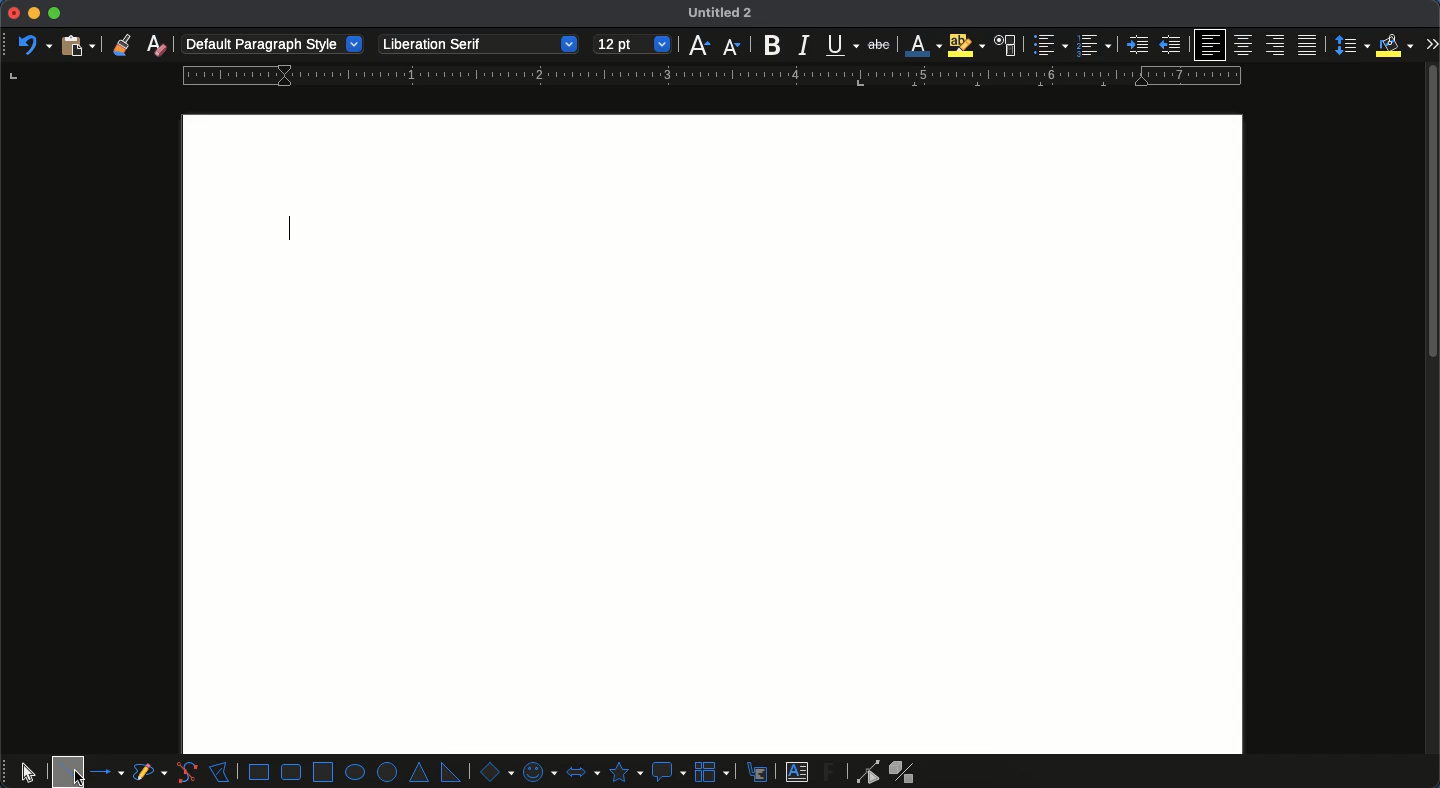 The image size is (1440, 788). What do you see at coordinates (1309, 44) in the screenshot?
I see `justify` at bounding box center [1309, 44].